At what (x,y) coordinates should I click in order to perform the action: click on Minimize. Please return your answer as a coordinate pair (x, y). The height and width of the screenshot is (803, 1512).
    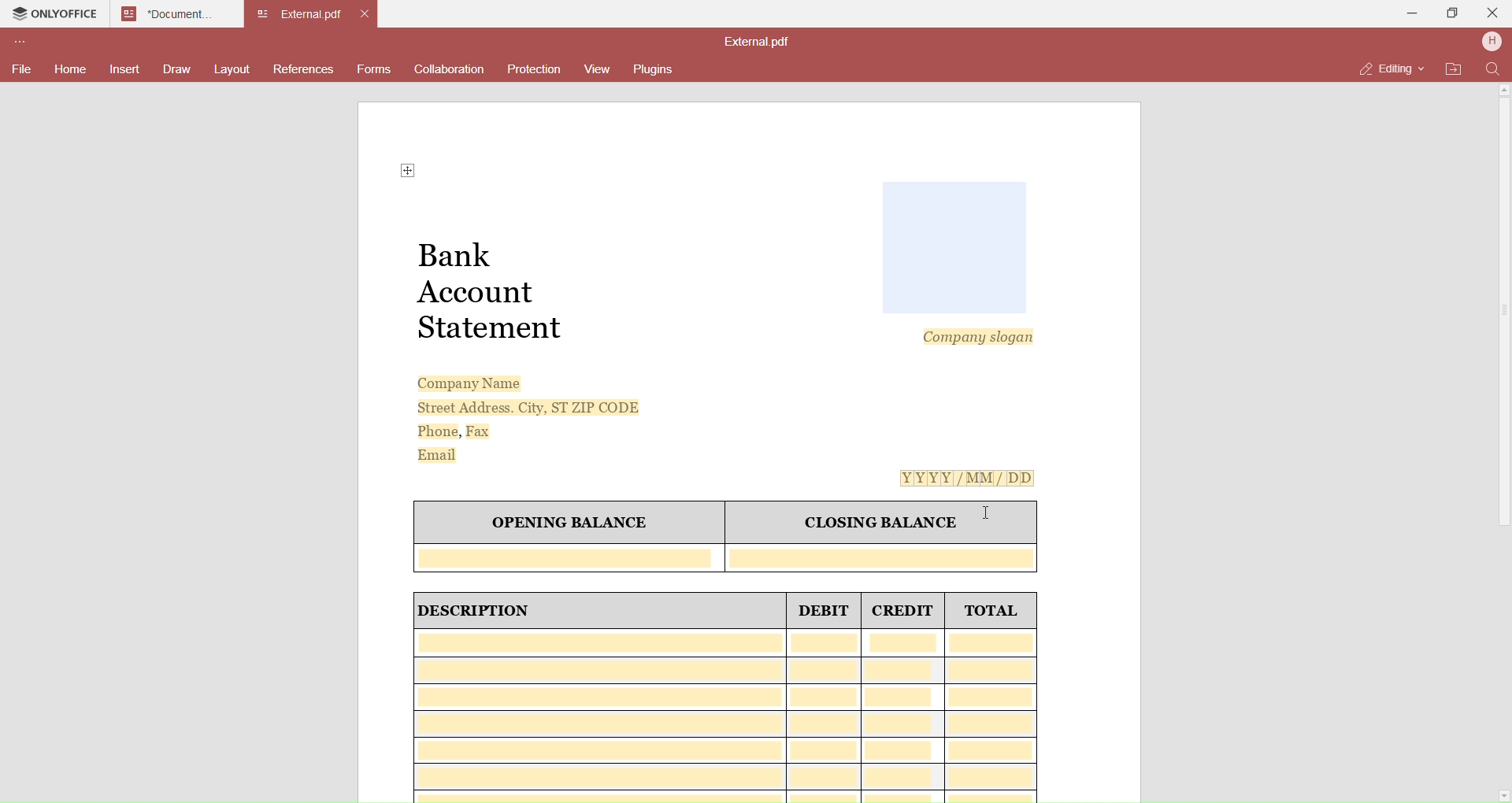
    Looking at the image, I should click on (1413, 13).